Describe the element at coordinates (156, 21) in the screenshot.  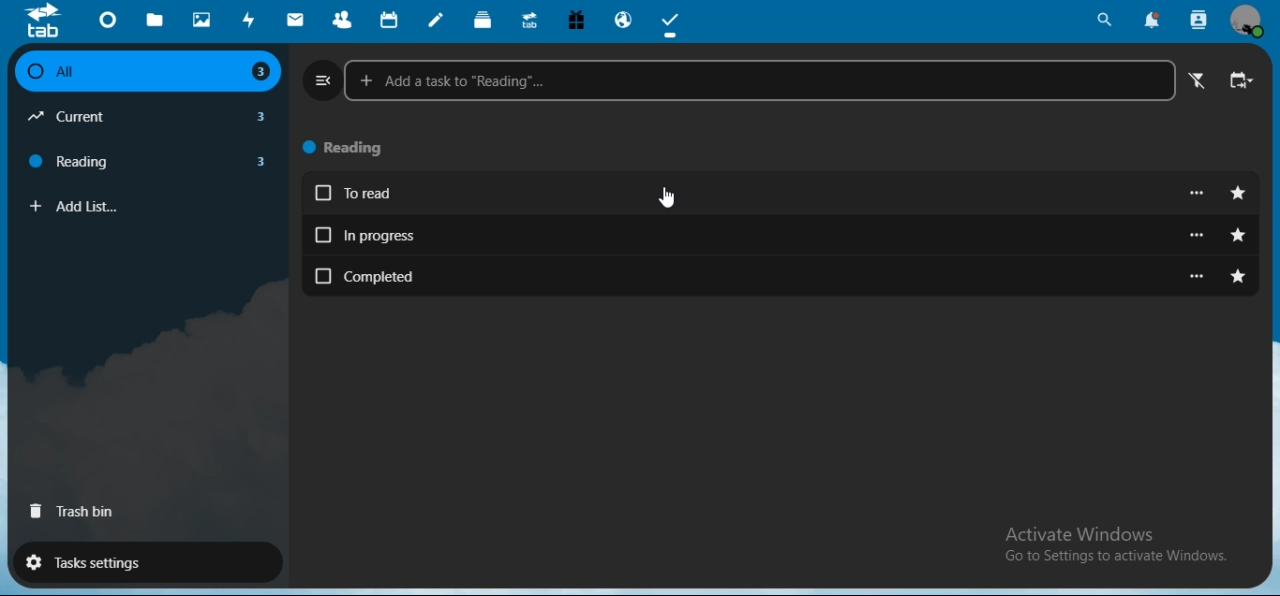
I see `files` at that location.